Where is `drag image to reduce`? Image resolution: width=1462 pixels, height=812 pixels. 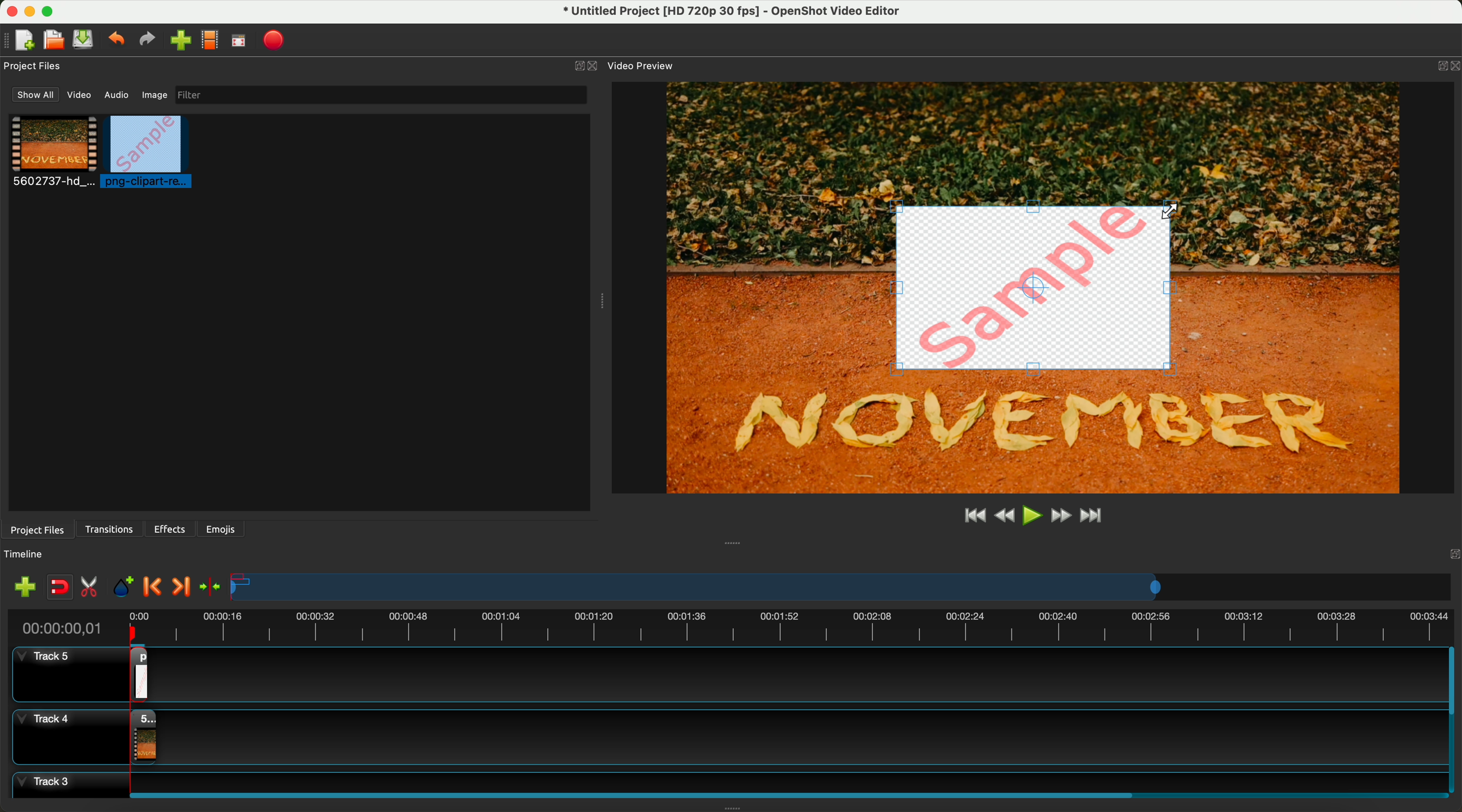 drag image to reduce is located at coordinates (1035, 288).